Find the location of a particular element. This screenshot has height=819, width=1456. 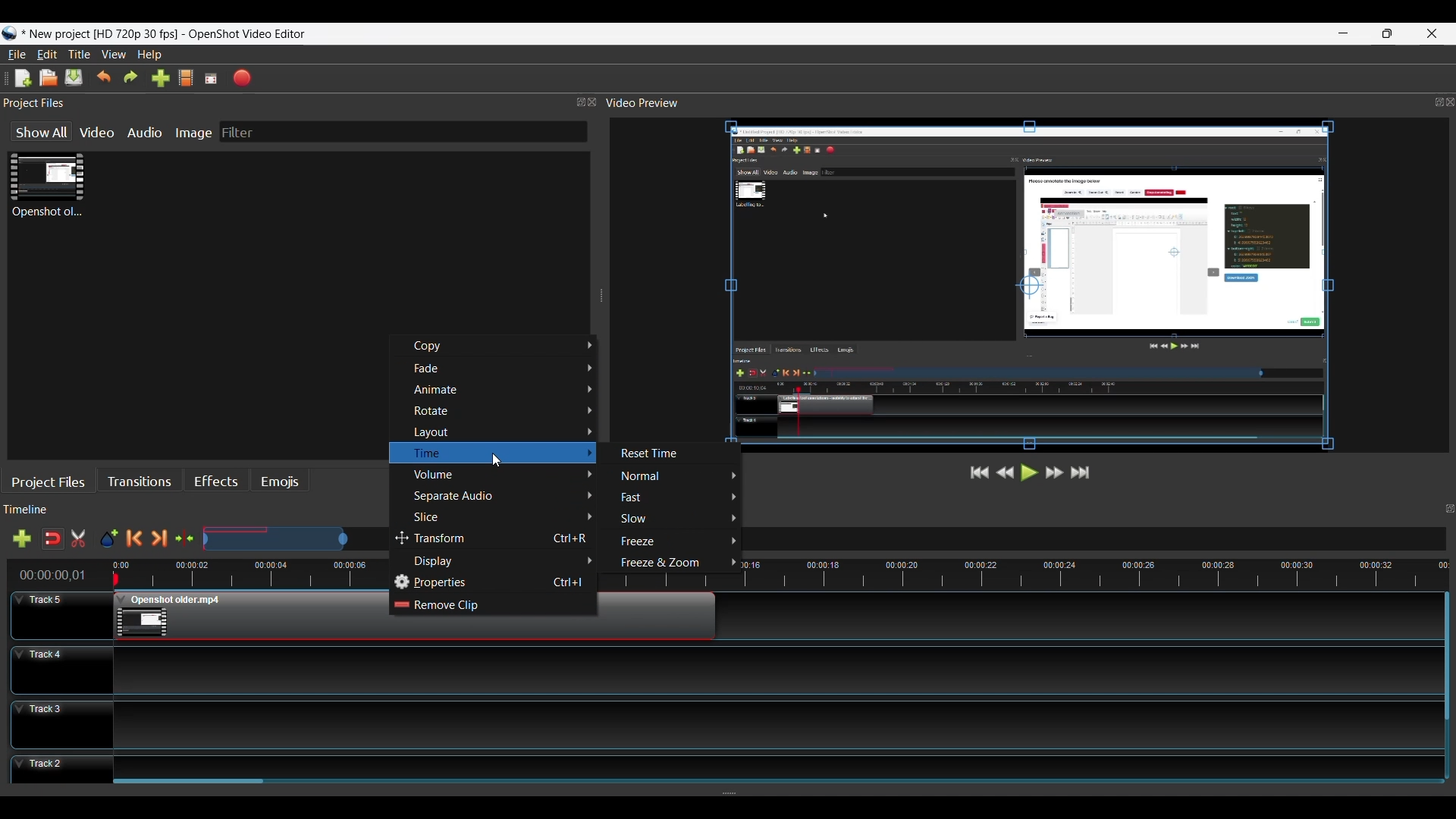

Project Files is located at coordinates (299, 104).